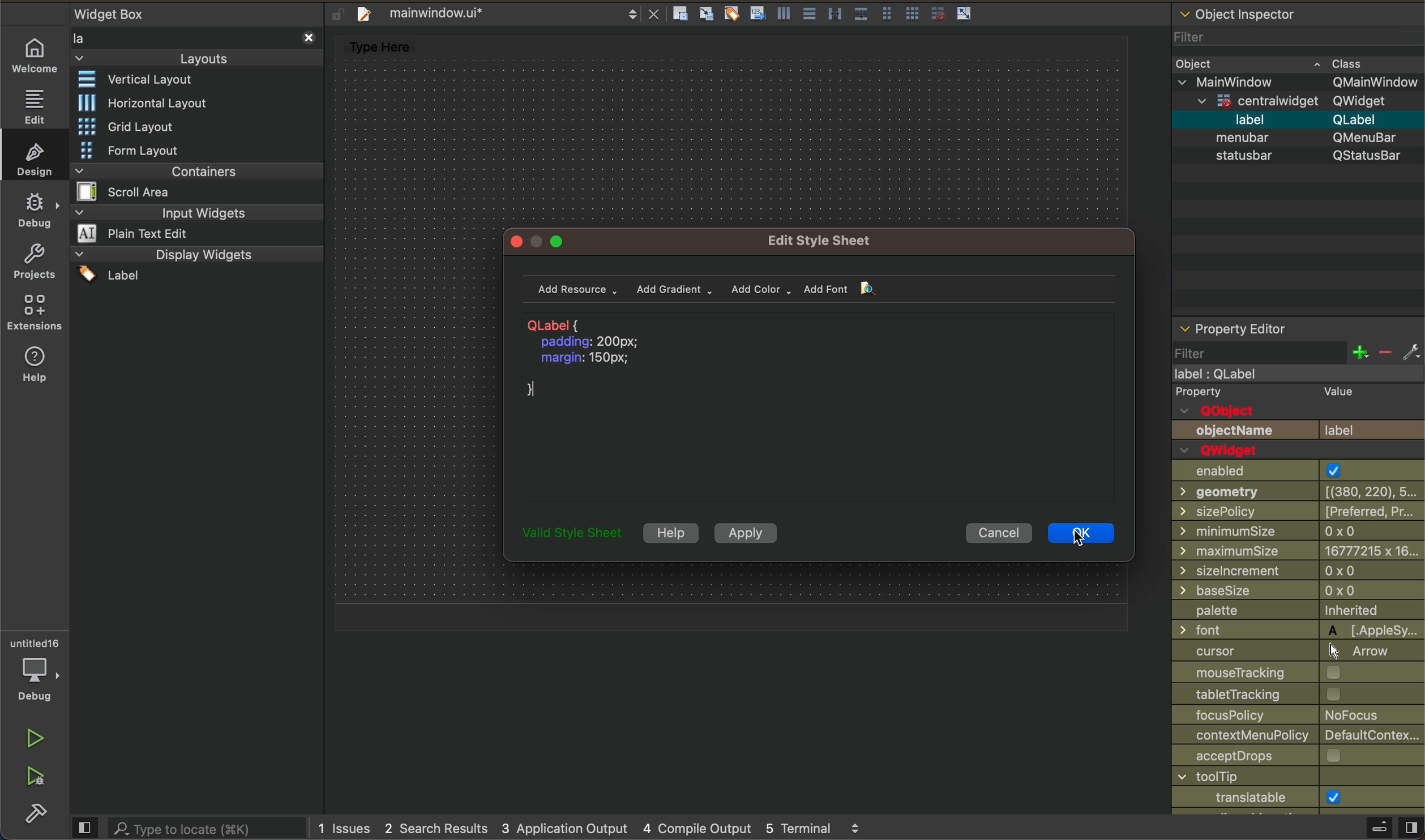 The image size is (1425, 840). I want to click on widget box, so click(126, 13).